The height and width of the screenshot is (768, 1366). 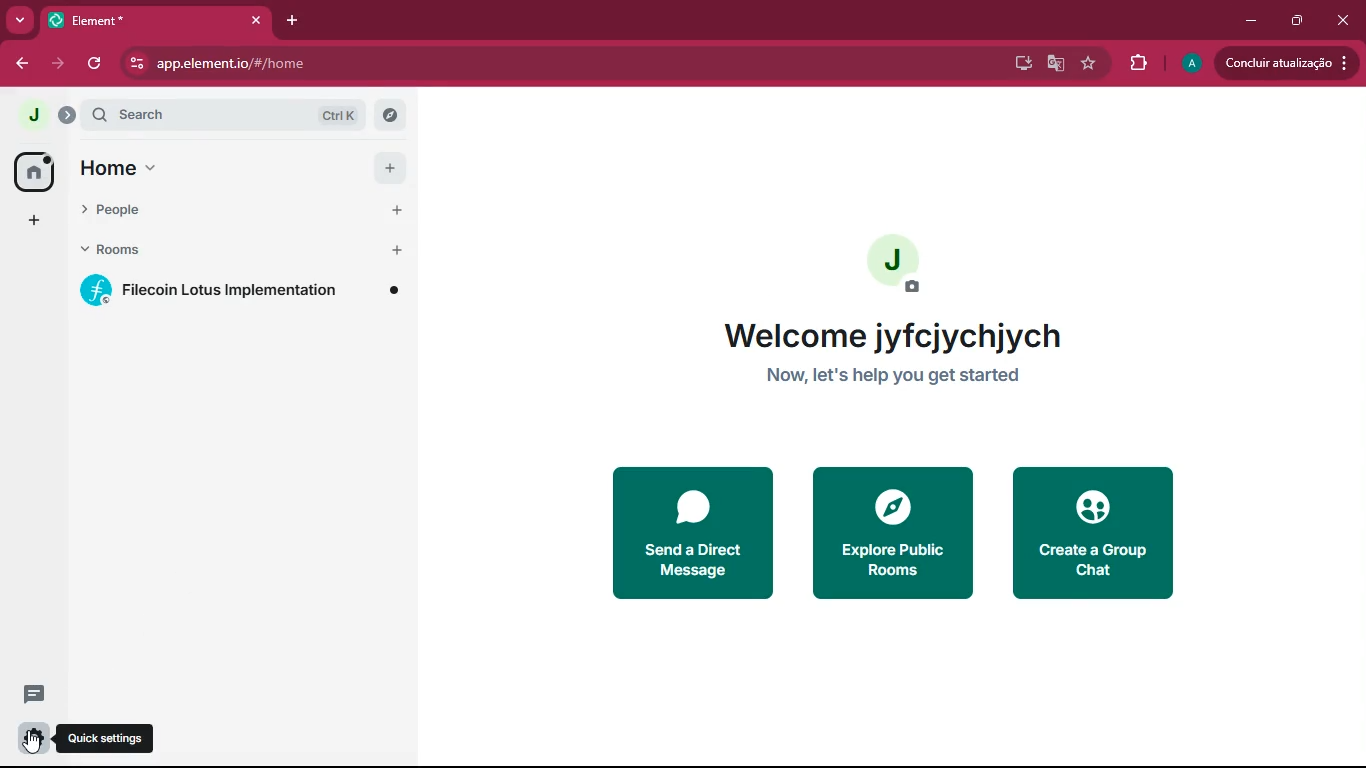 What do you see at coordinates (133, 166) in the screenshot?
I see `home` at bounding box center [133, 166].